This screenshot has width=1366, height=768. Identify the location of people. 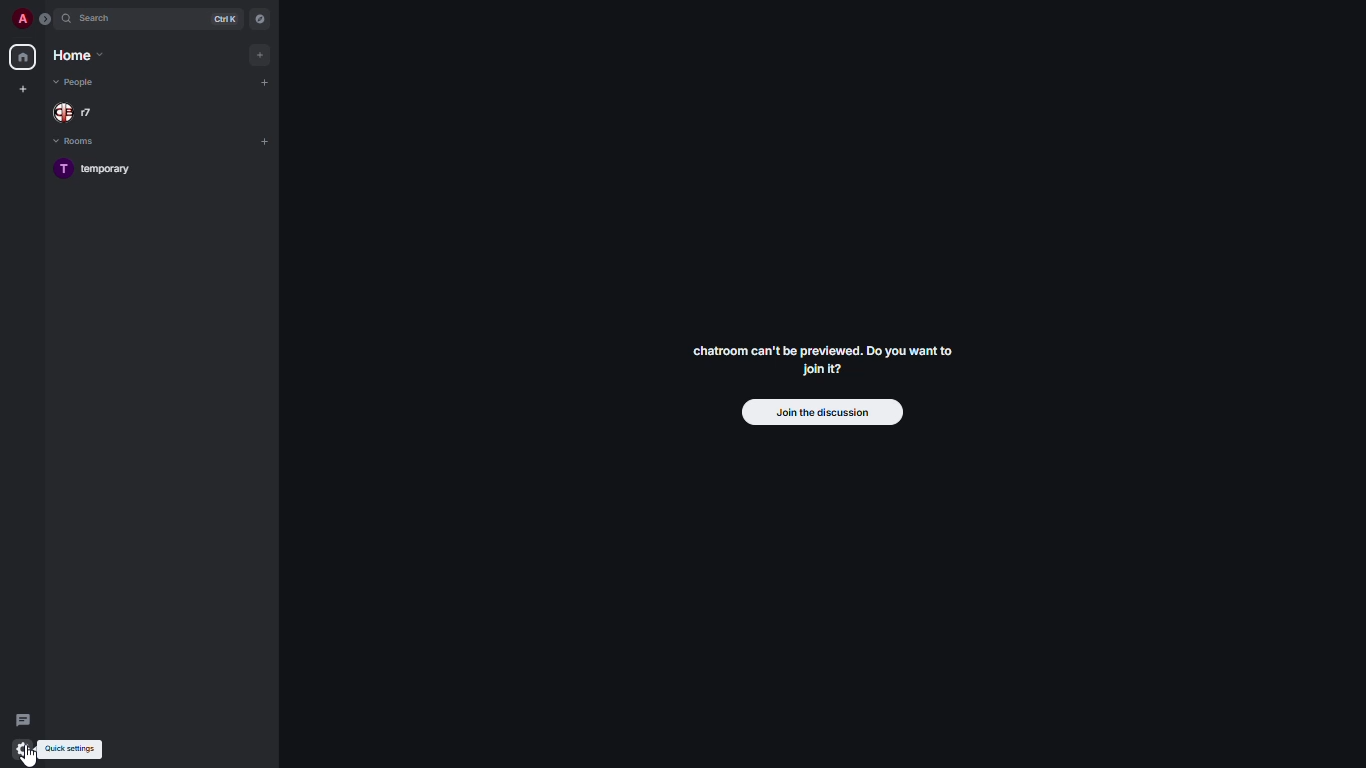
(77, 83).